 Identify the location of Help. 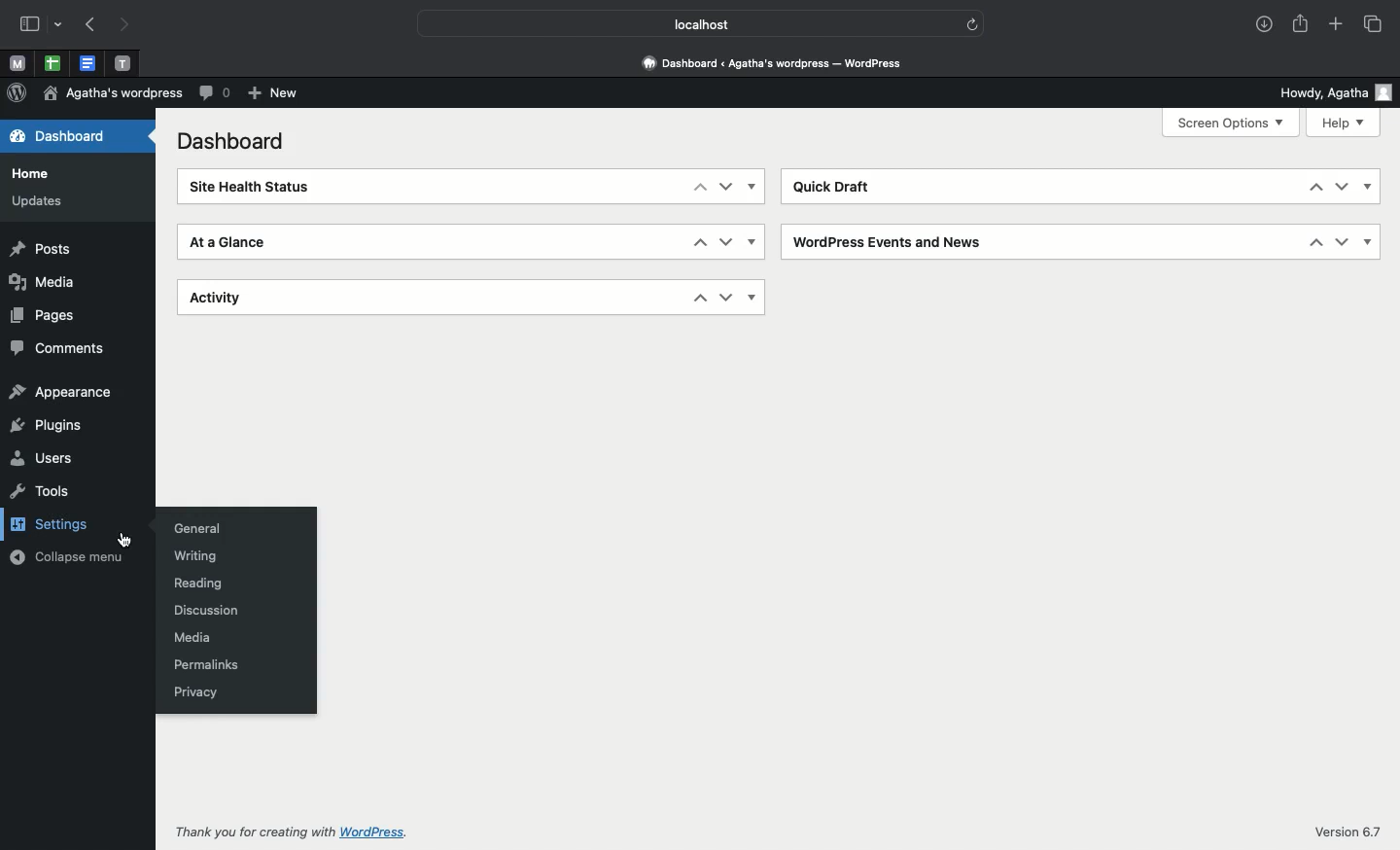
(1343, 124).